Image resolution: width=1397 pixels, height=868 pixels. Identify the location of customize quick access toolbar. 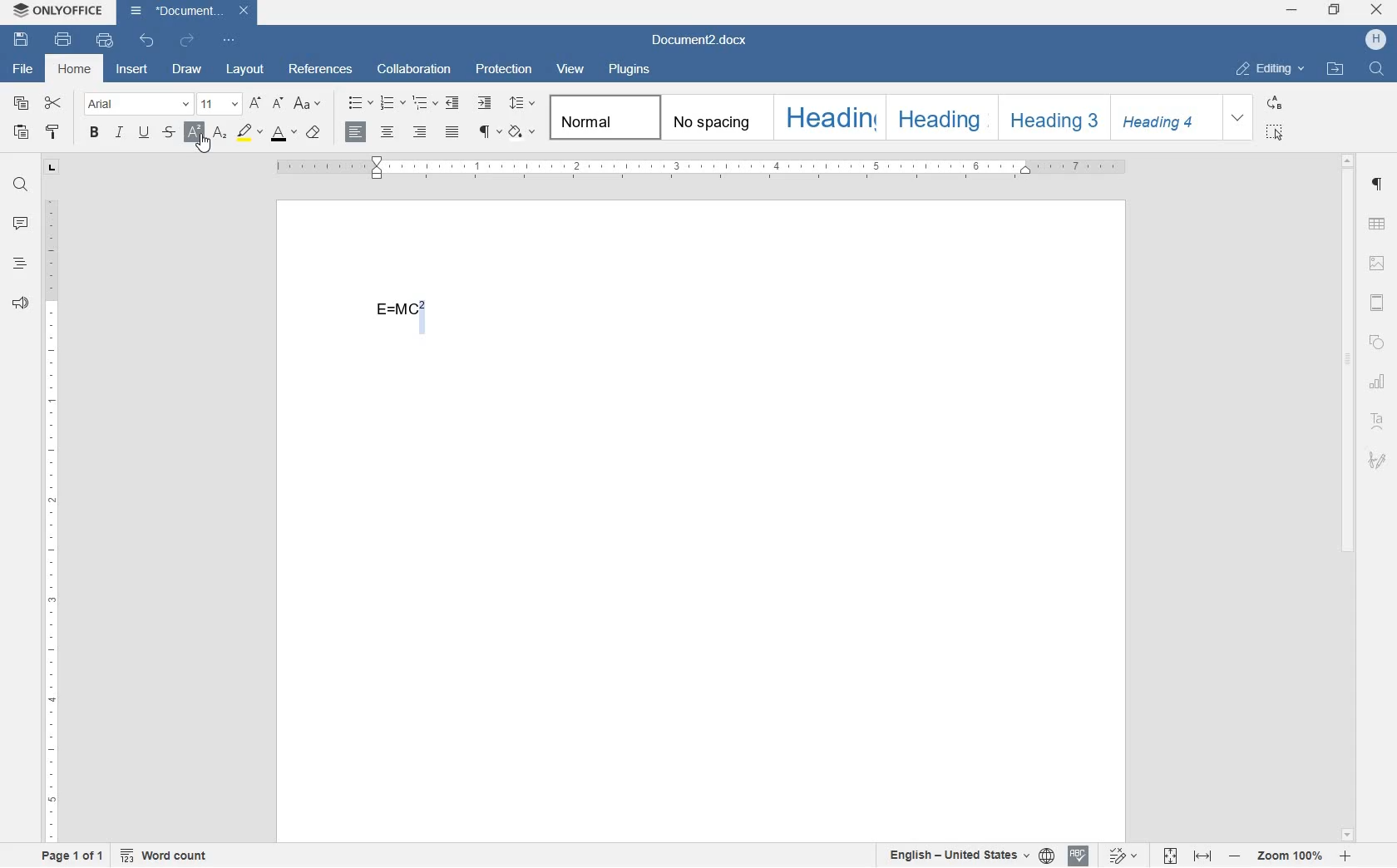
(229, 40).